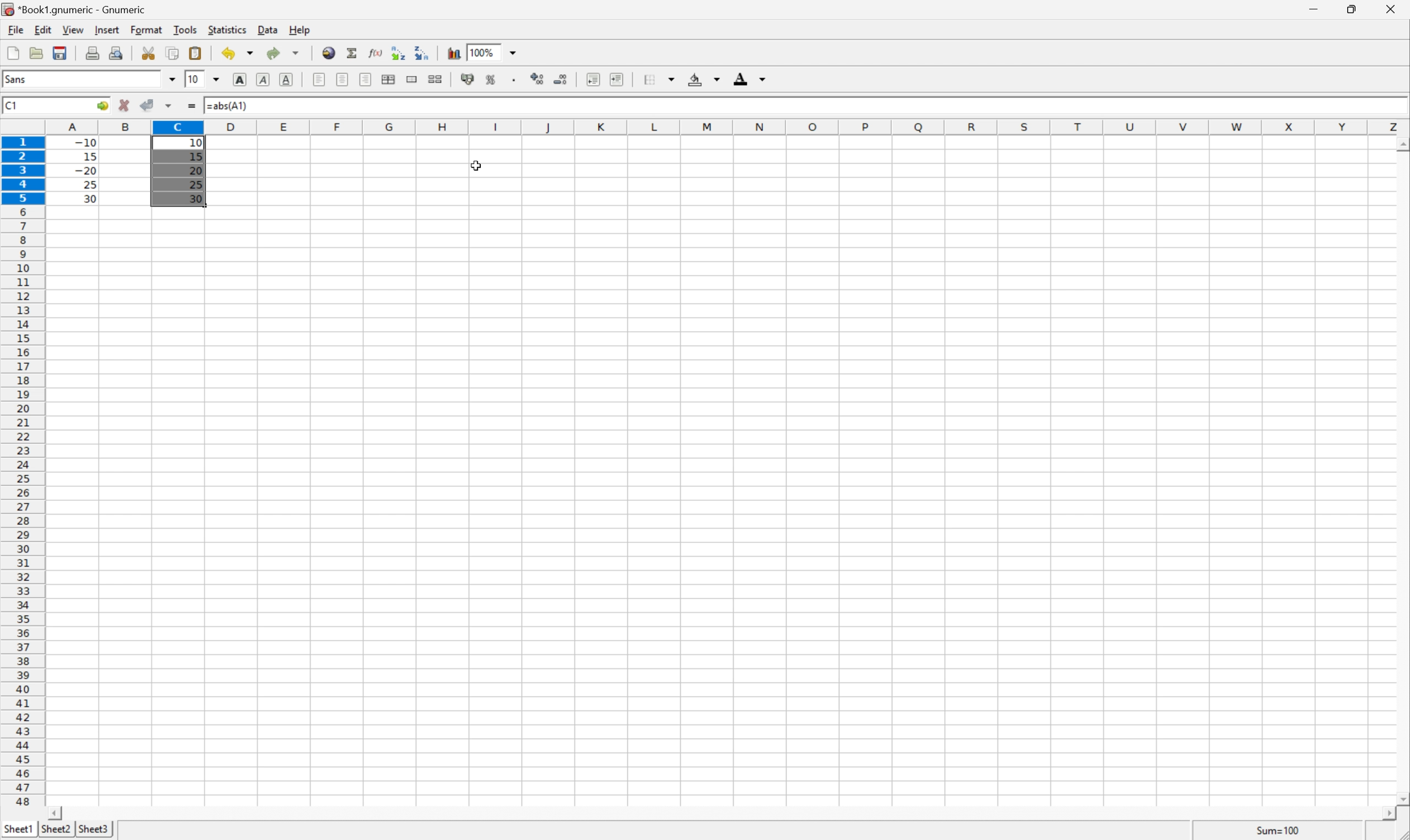 The height and width of the screenshot is (840, 1410). I want to click on =ABS(A1), so click(232, 104).